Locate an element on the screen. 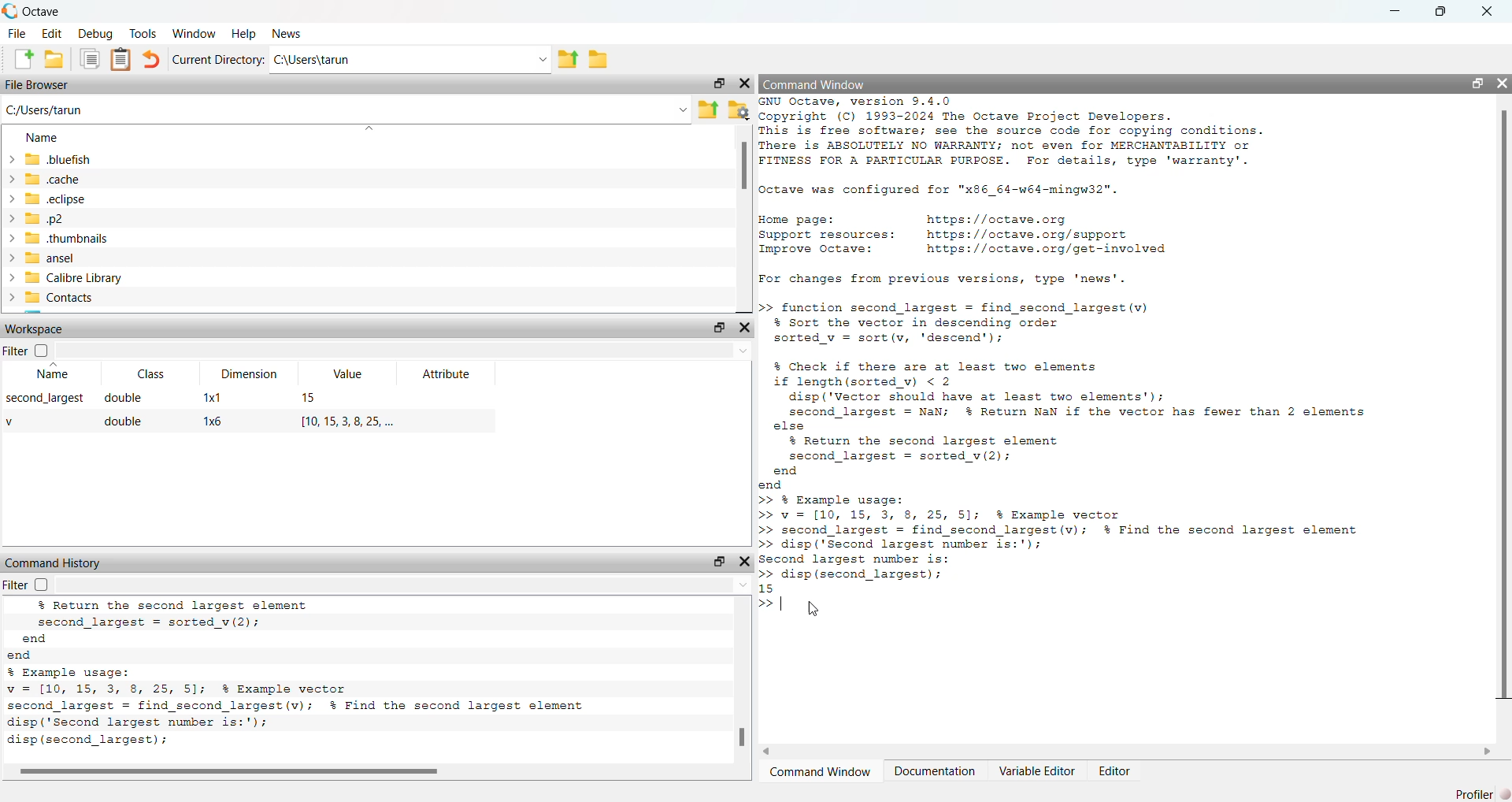 Image resolution: width=1512 pixels, height=802 pixels. one directory up is located at coordinates (709, 108).